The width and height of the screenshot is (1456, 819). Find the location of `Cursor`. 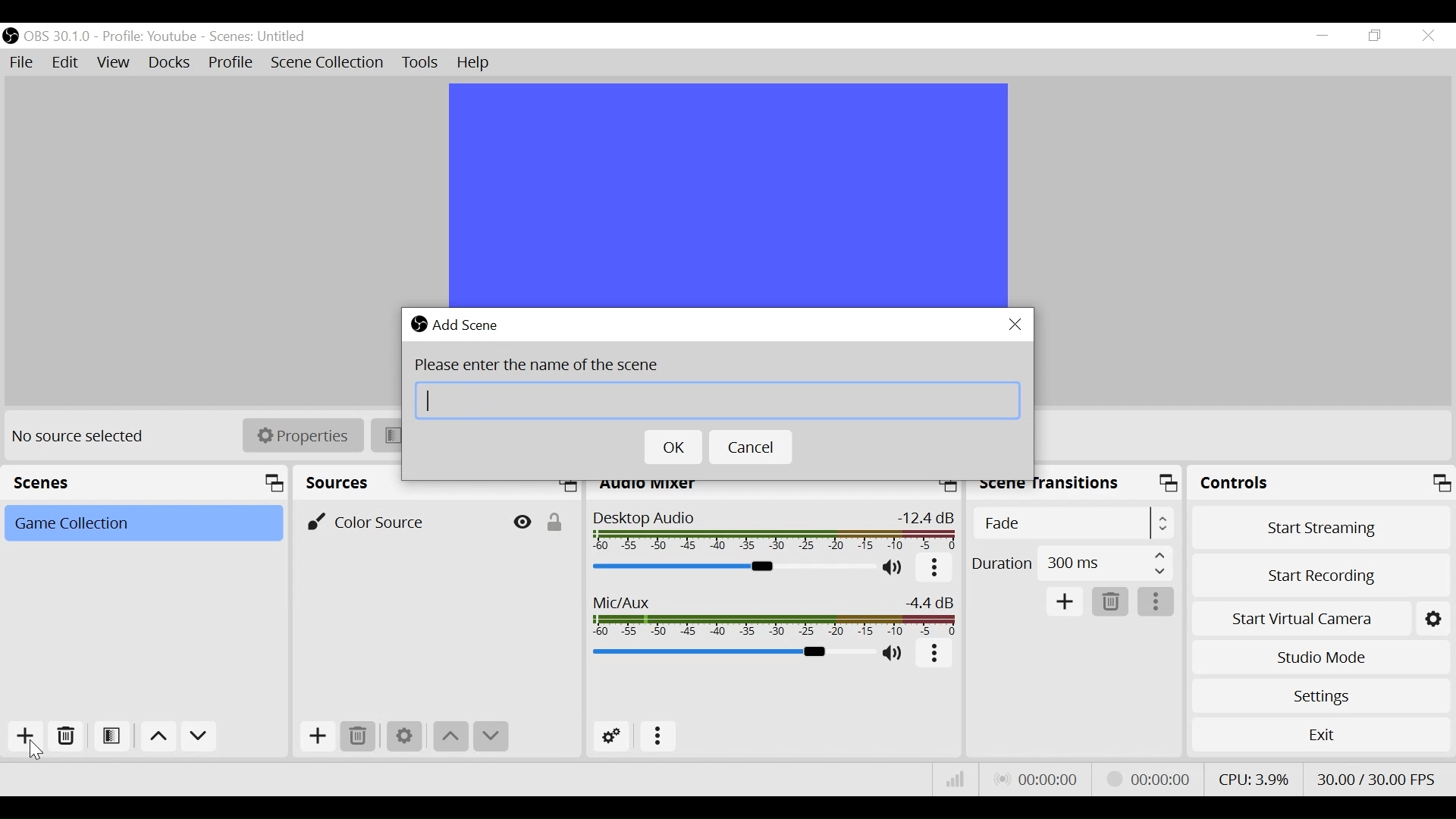

Cursor is located at coordinates (39, 749).